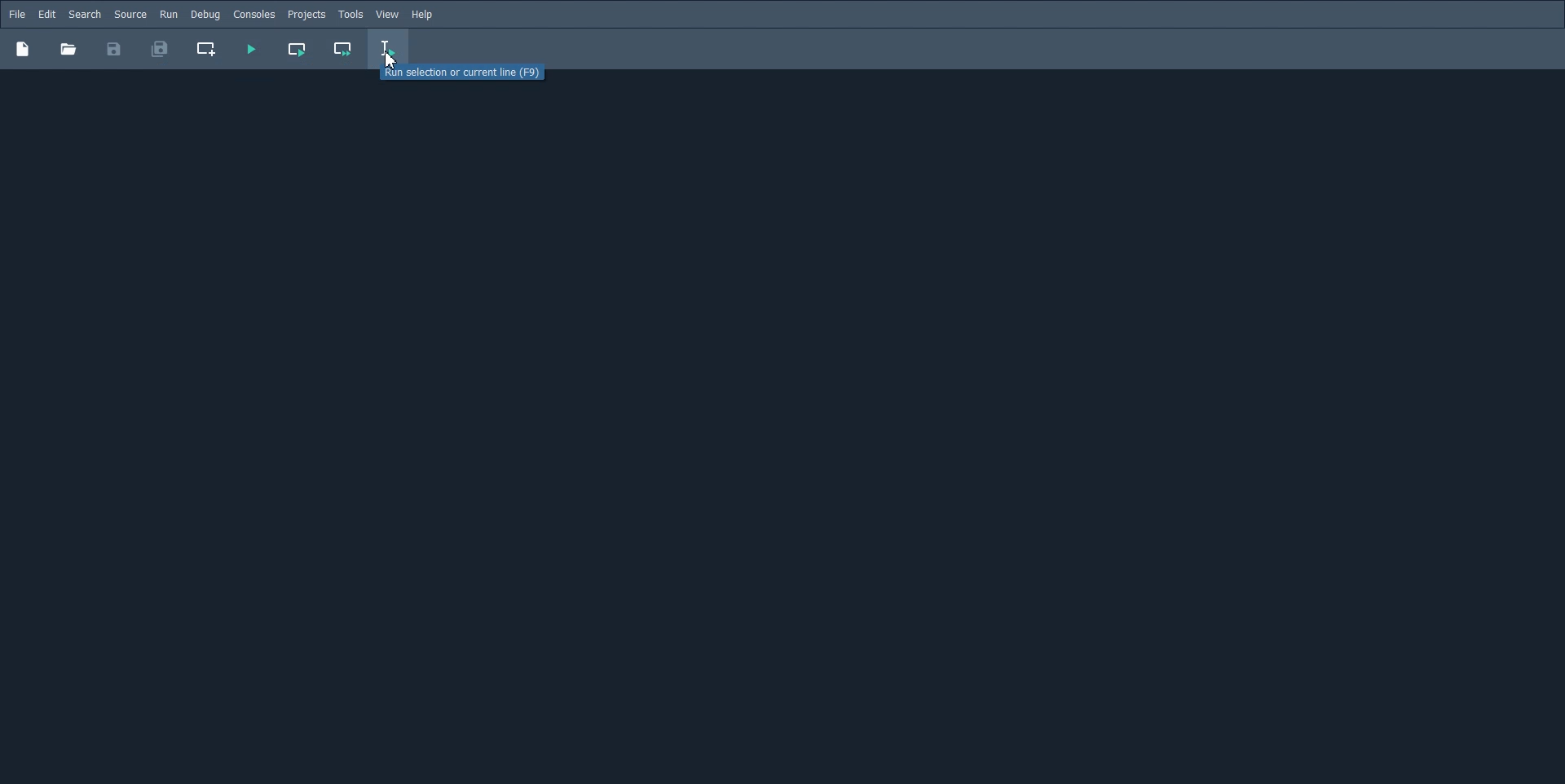 The height and width of the screenshot is (784, 1565). I want to click on Edit, so click(46, 15).